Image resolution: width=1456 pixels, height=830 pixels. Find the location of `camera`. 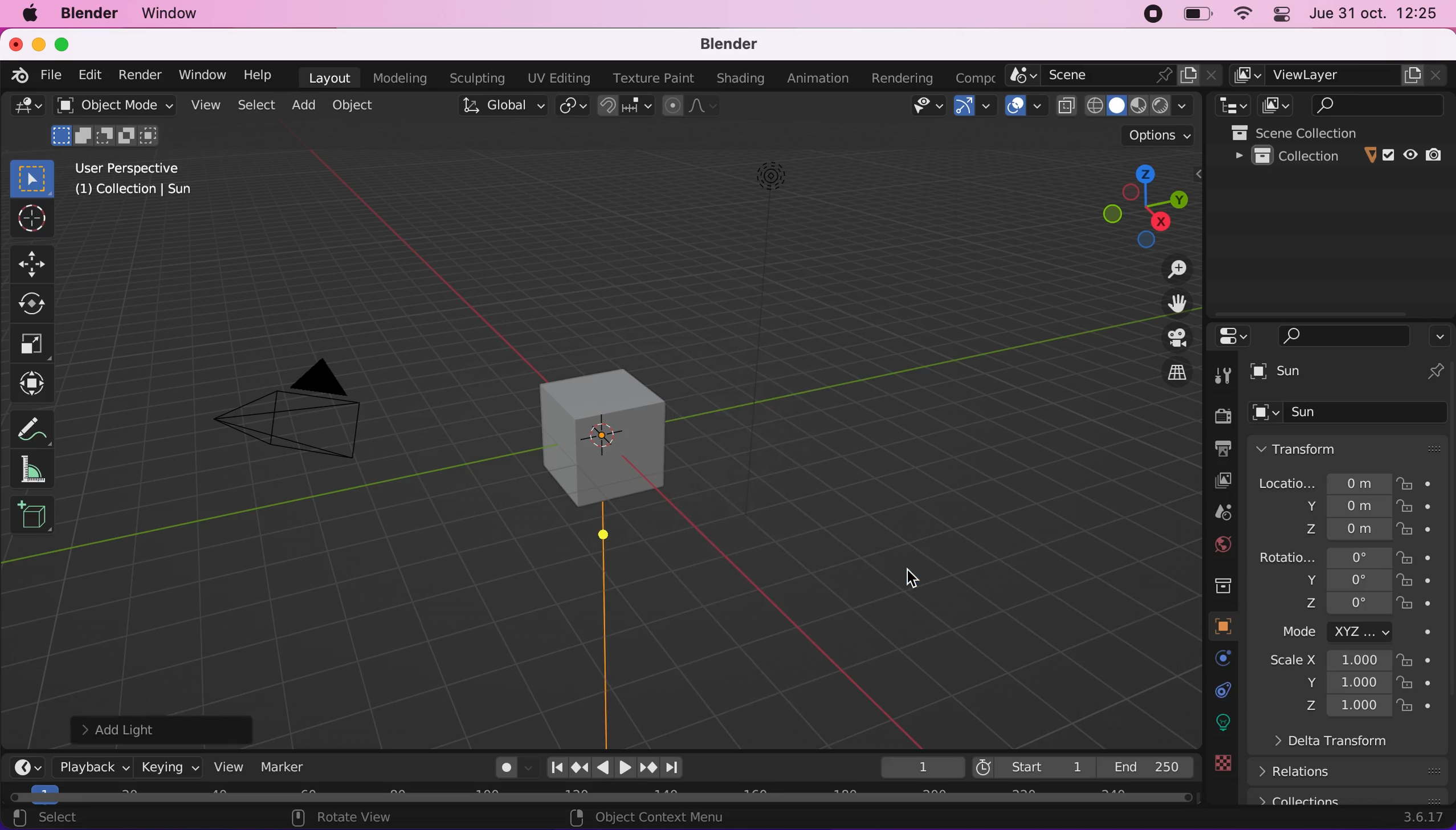

camera is located at coordinates (304, 415).